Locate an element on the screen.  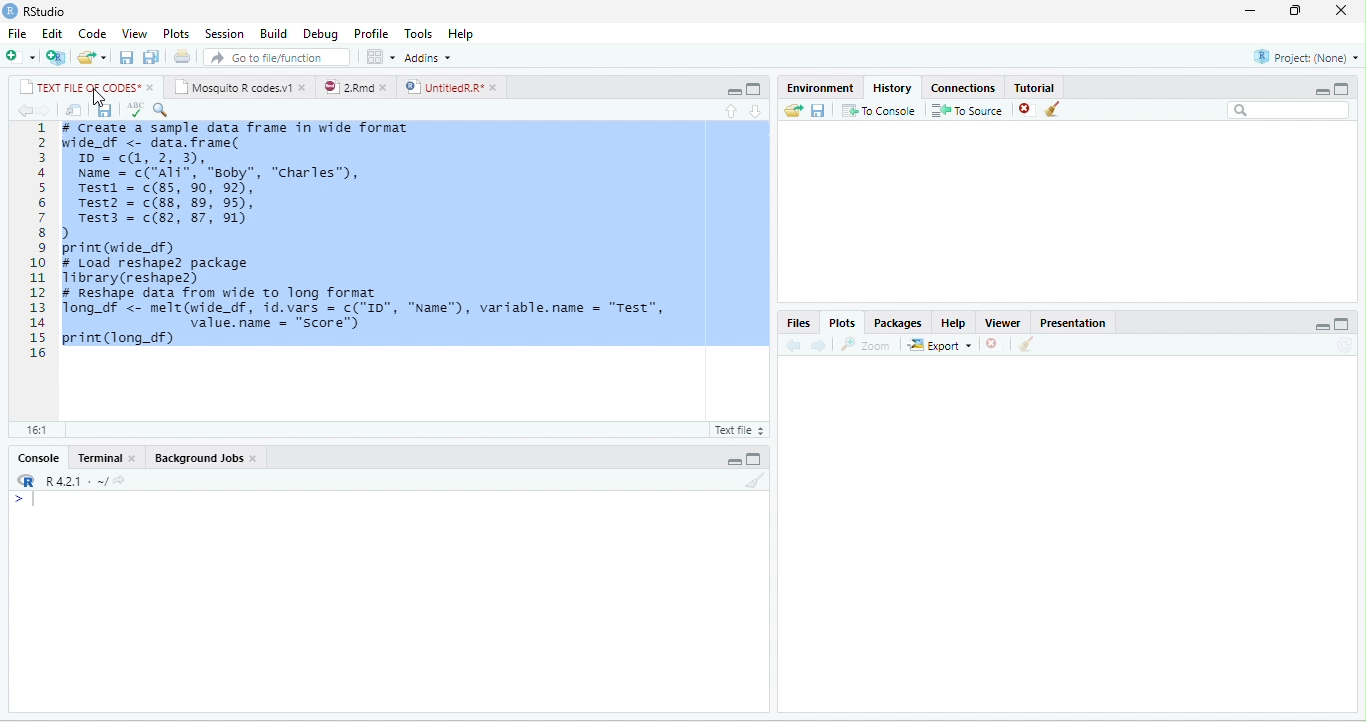
Plots is located at coordinates (177, 34).